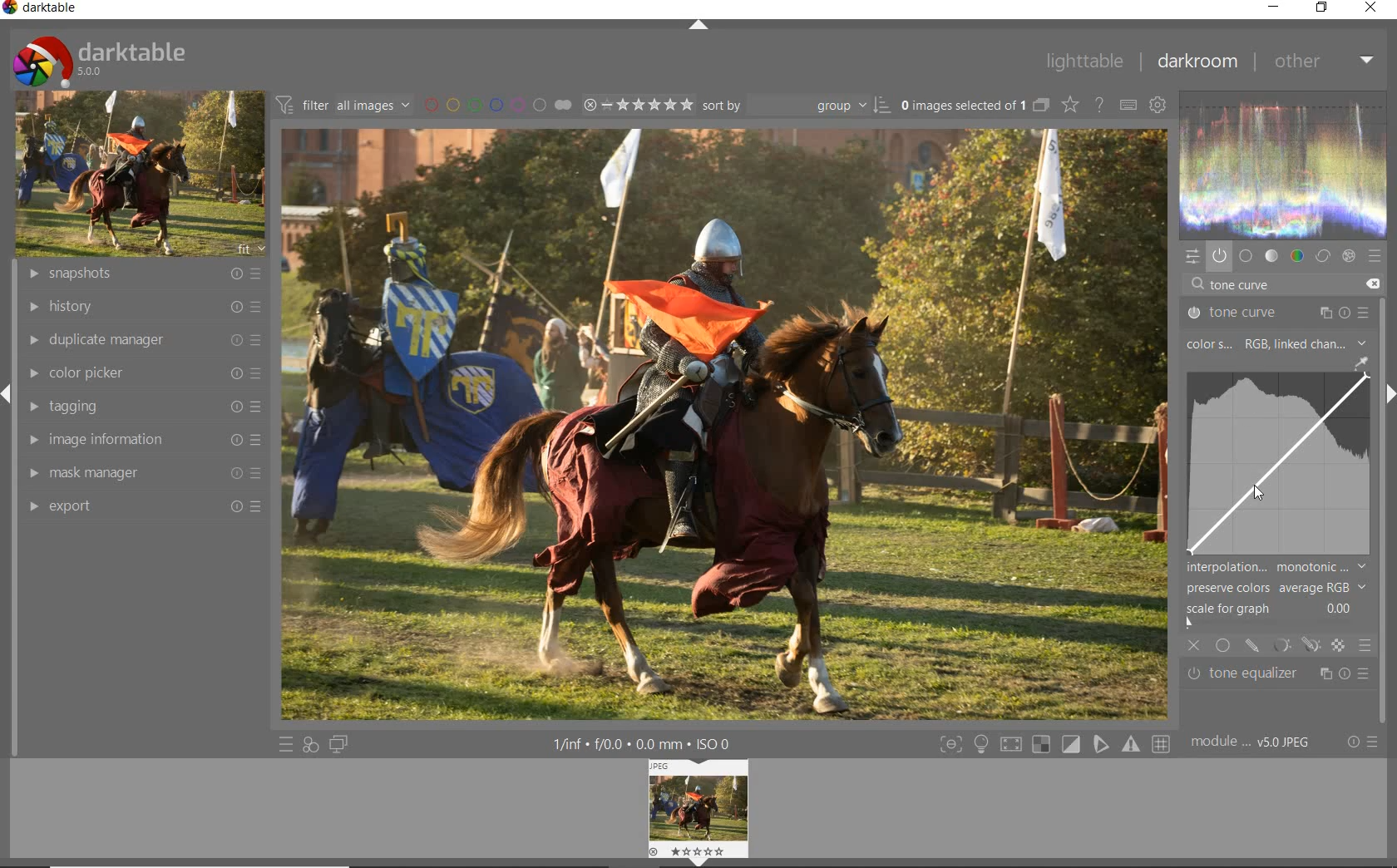  Describe the element at coordinates (309, 745) in the screenshot. I see `quick access for applying any of your styles` at that location.